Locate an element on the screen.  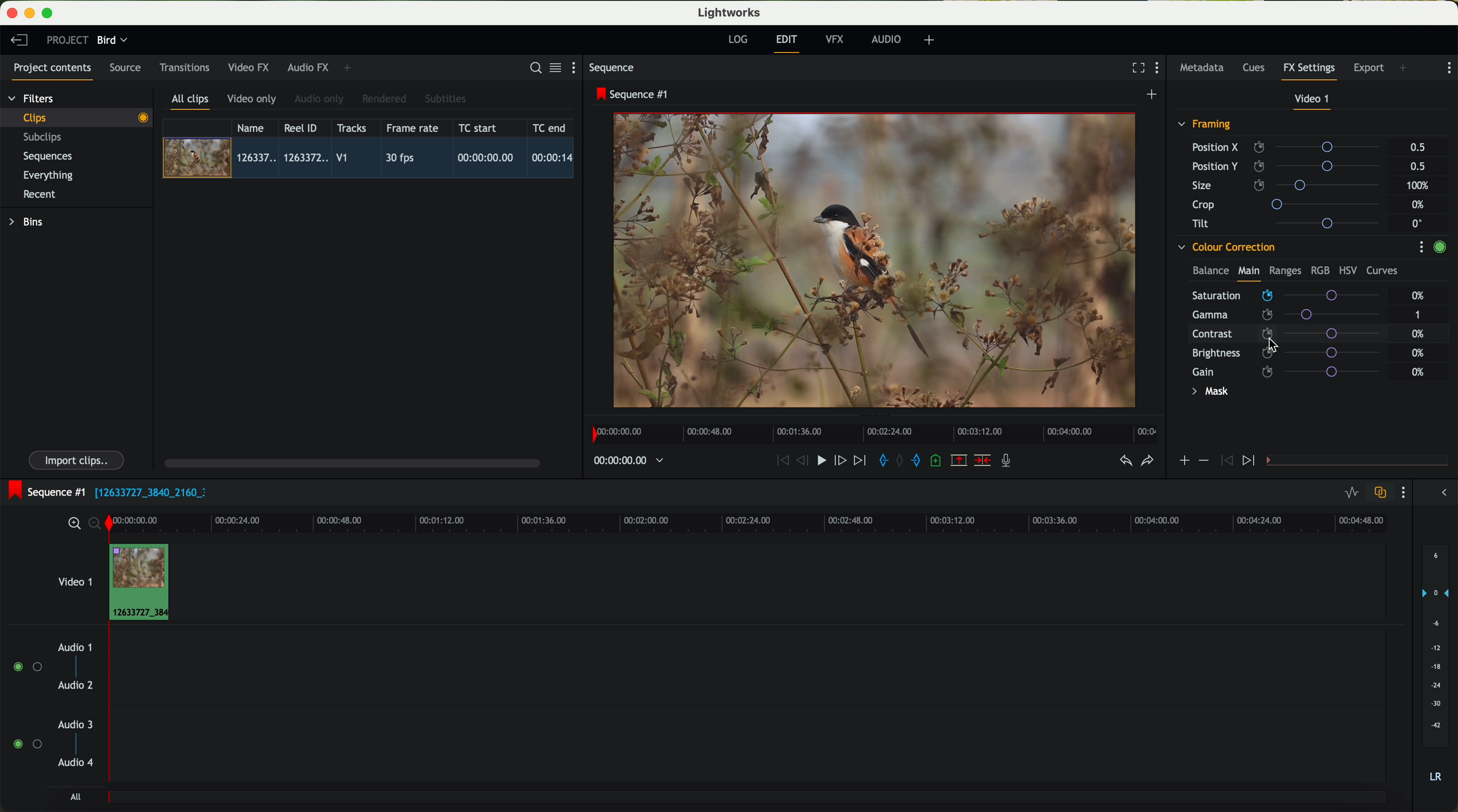
add a cue at the current position is located at coordinates (937, 461).